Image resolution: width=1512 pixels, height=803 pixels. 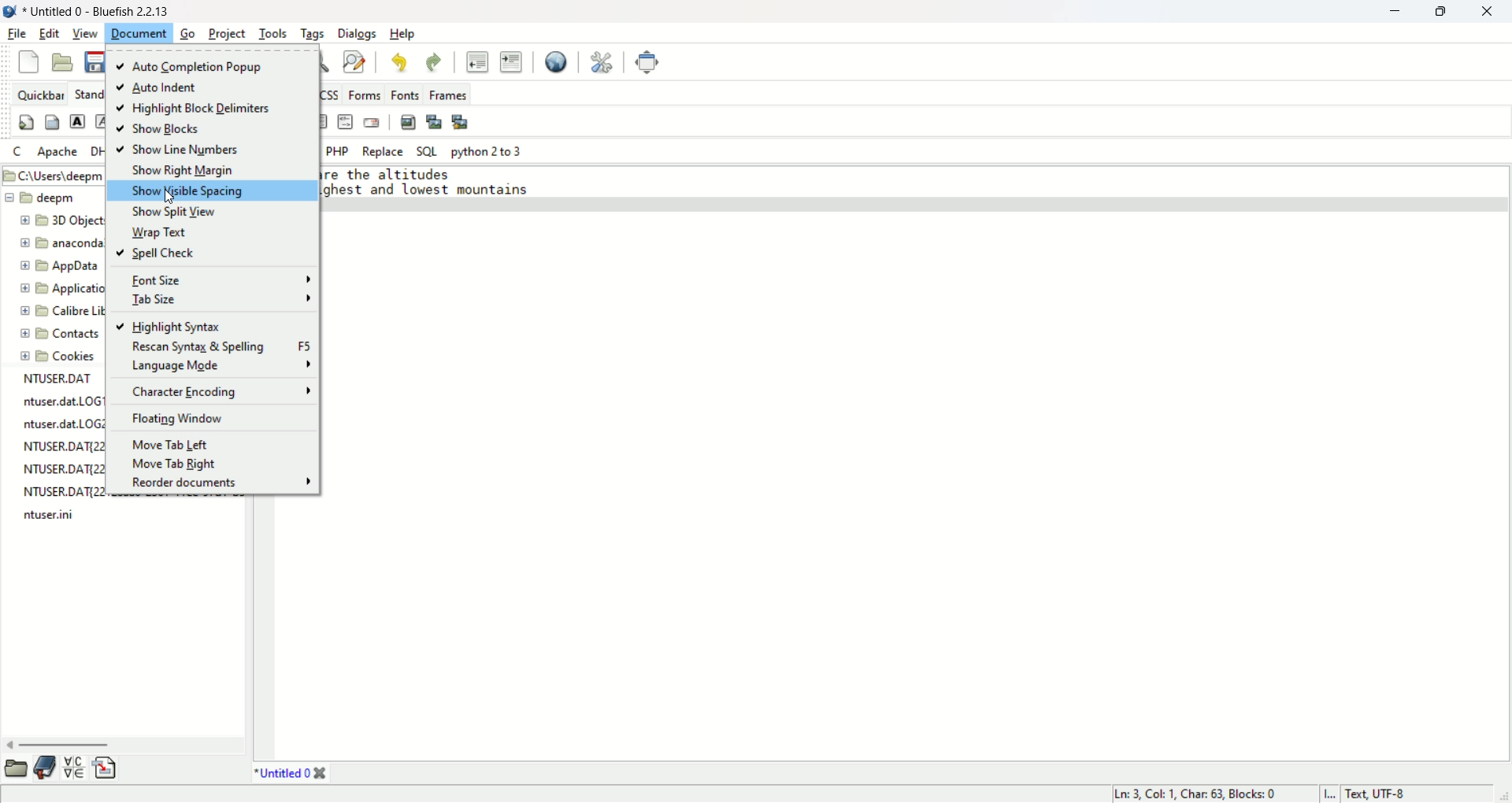 I want to click on Cursor on Show Mobile Spacing, so click(x=175, y=195).